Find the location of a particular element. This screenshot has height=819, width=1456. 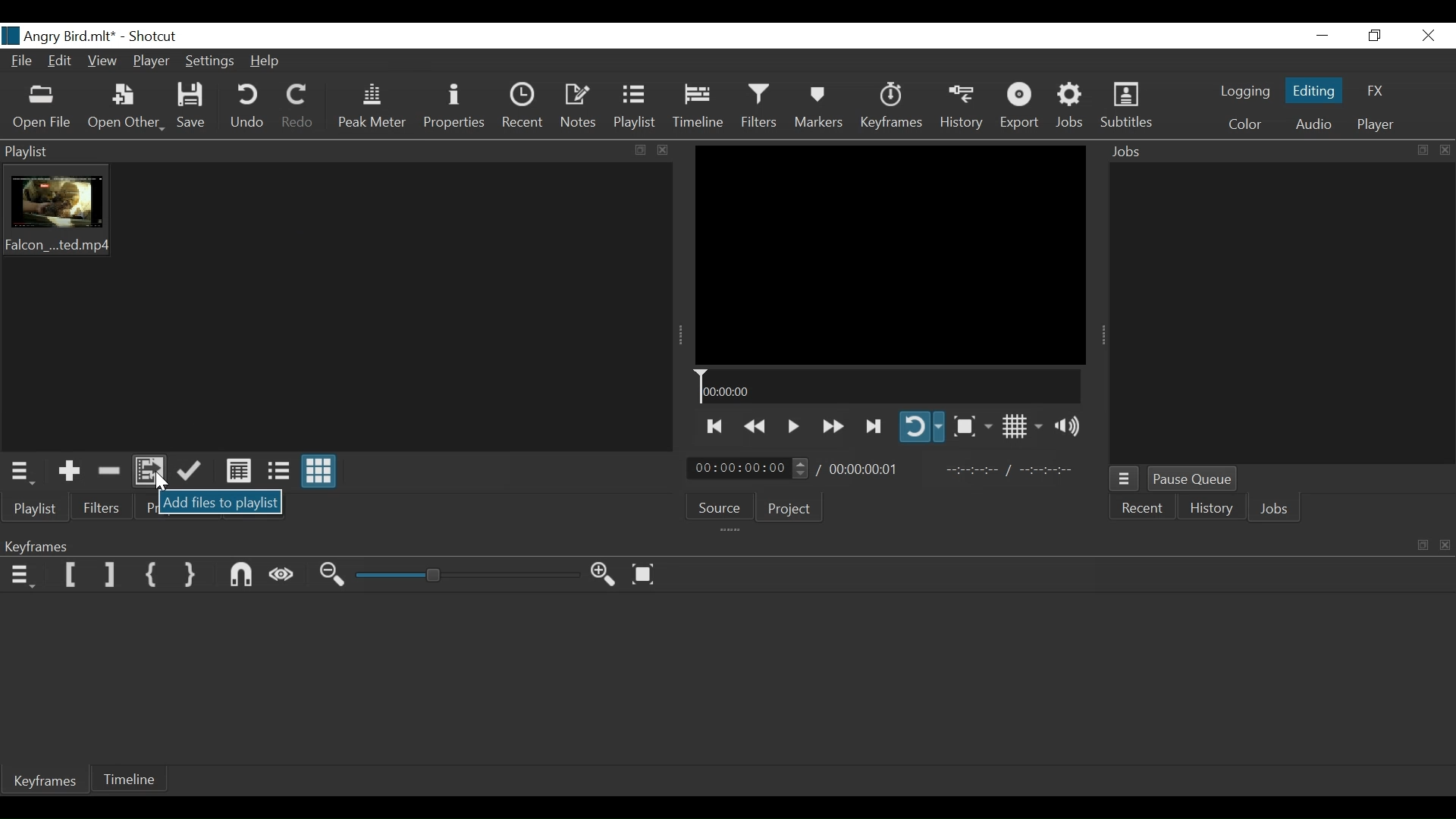

Open File is located at coordinates (45, 110).